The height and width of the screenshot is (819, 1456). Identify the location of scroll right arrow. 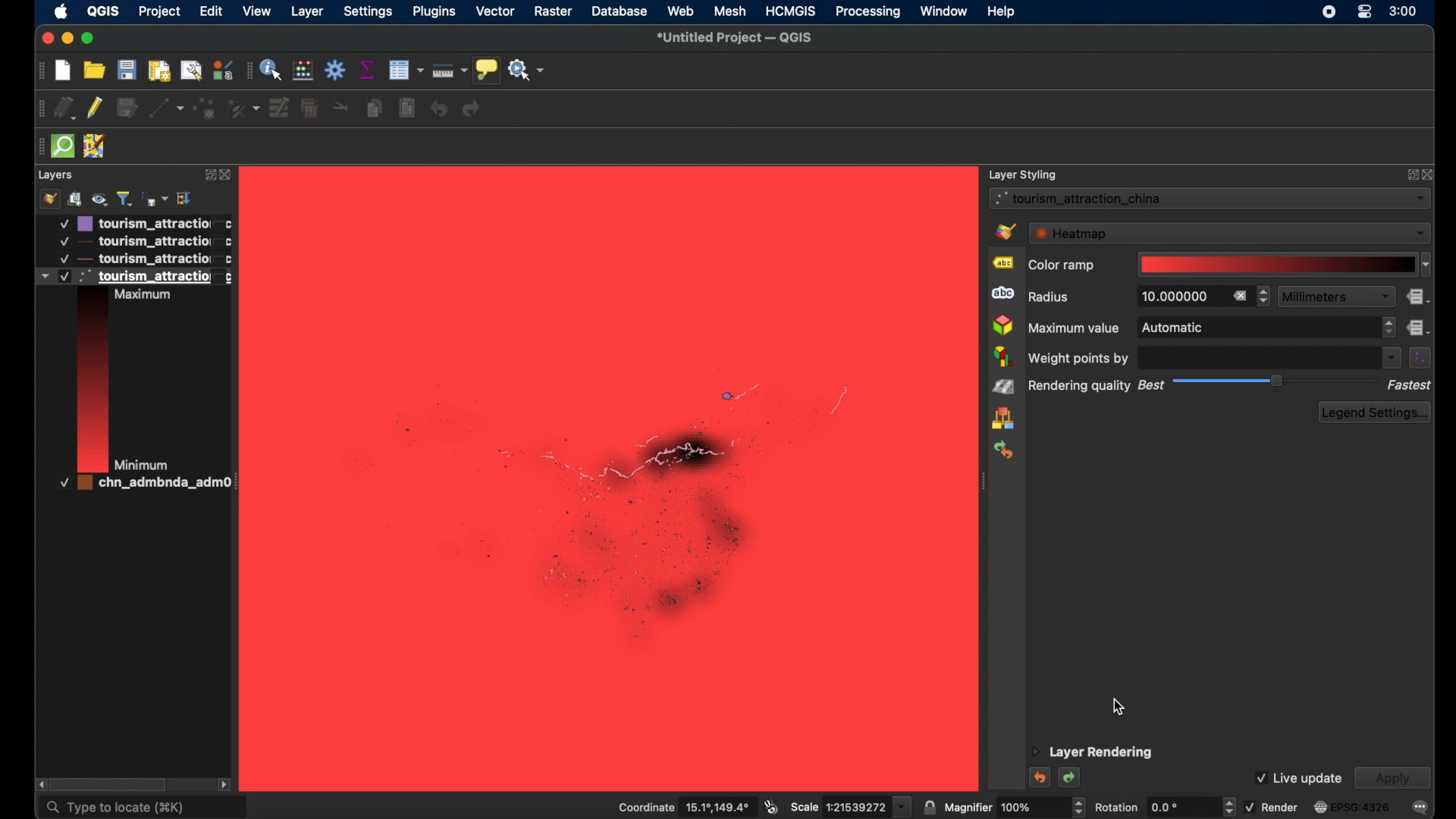
(225, 783).